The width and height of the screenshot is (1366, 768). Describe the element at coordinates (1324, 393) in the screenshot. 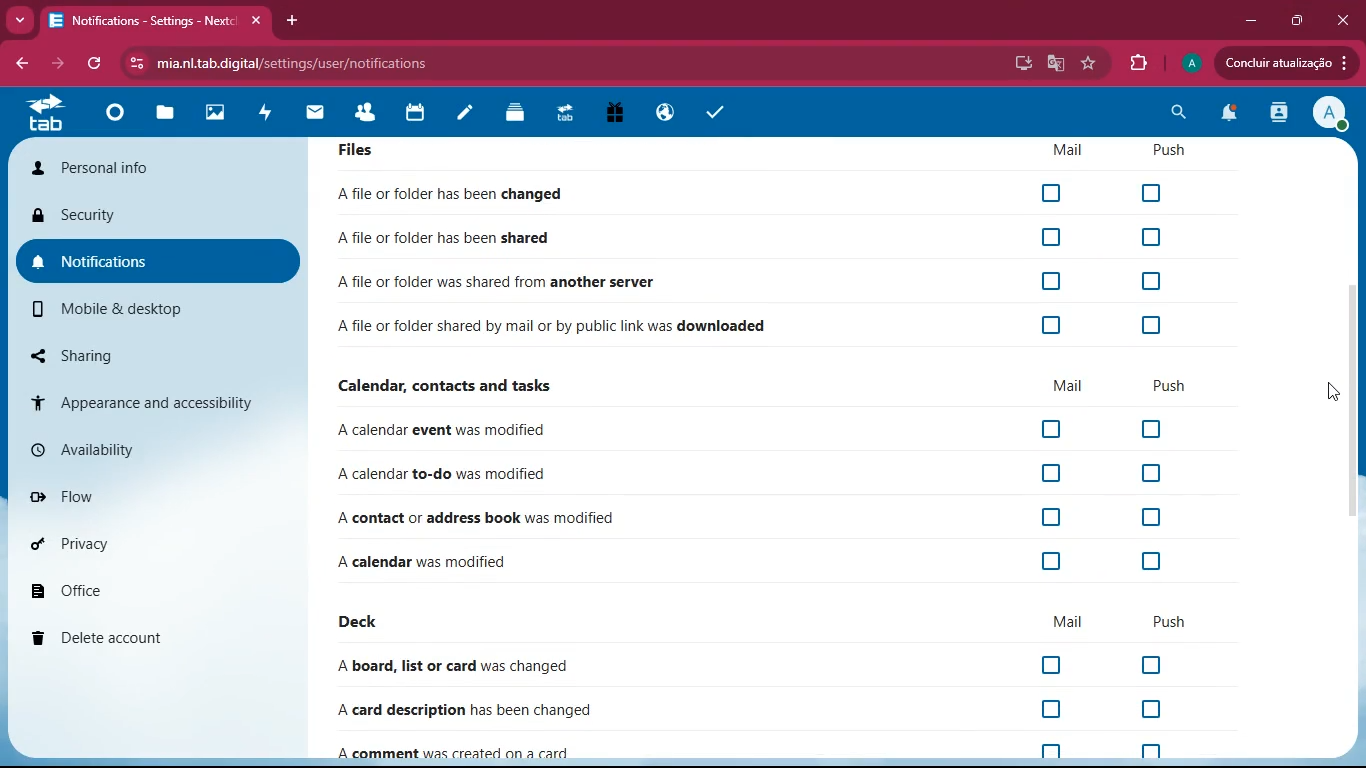

I see `cursor` at that location.